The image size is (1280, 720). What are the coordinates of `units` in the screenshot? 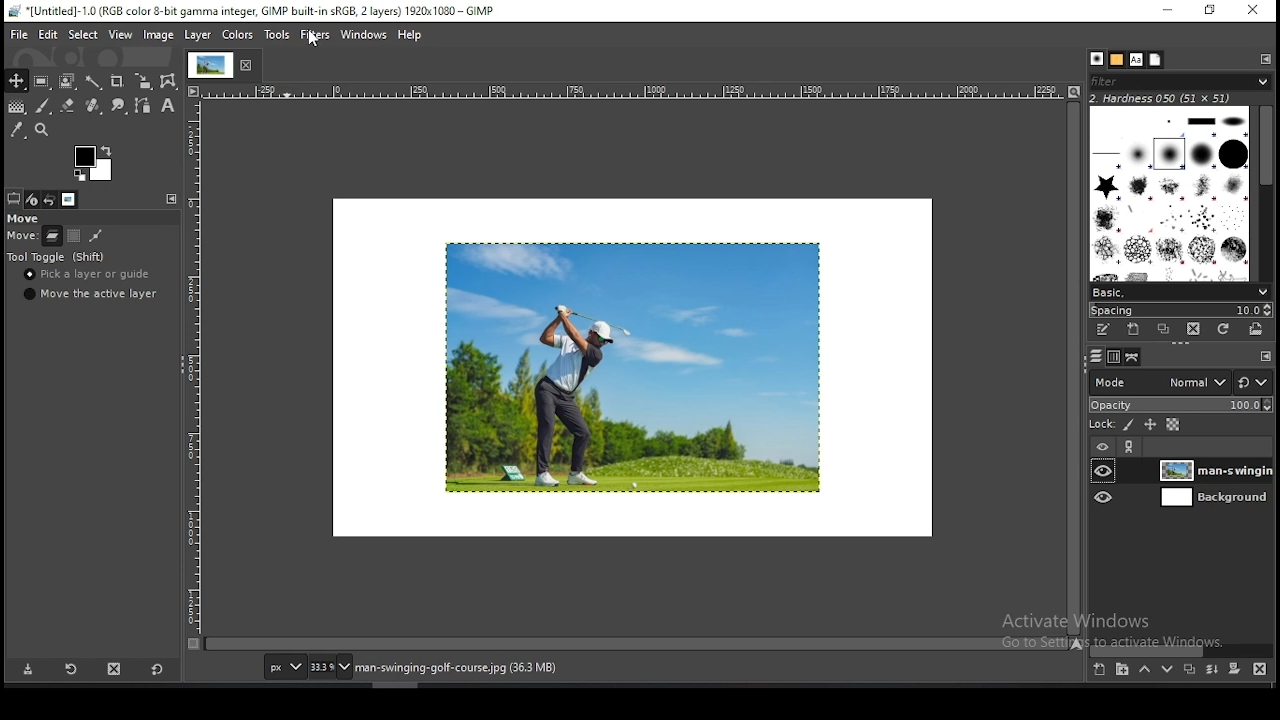 It's located at (284, 667).